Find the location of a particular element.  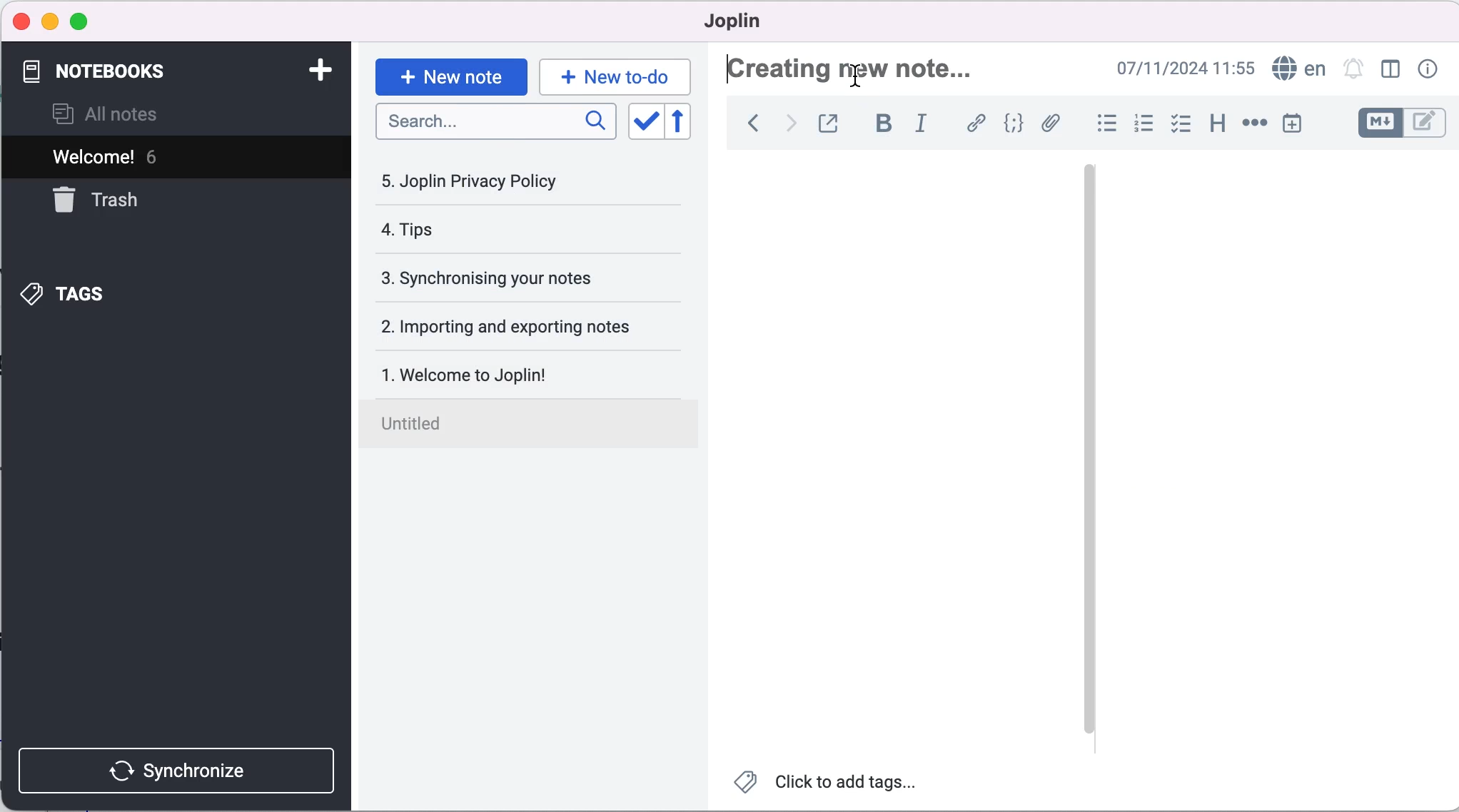

Cursor is located at coordinates (859, 73).